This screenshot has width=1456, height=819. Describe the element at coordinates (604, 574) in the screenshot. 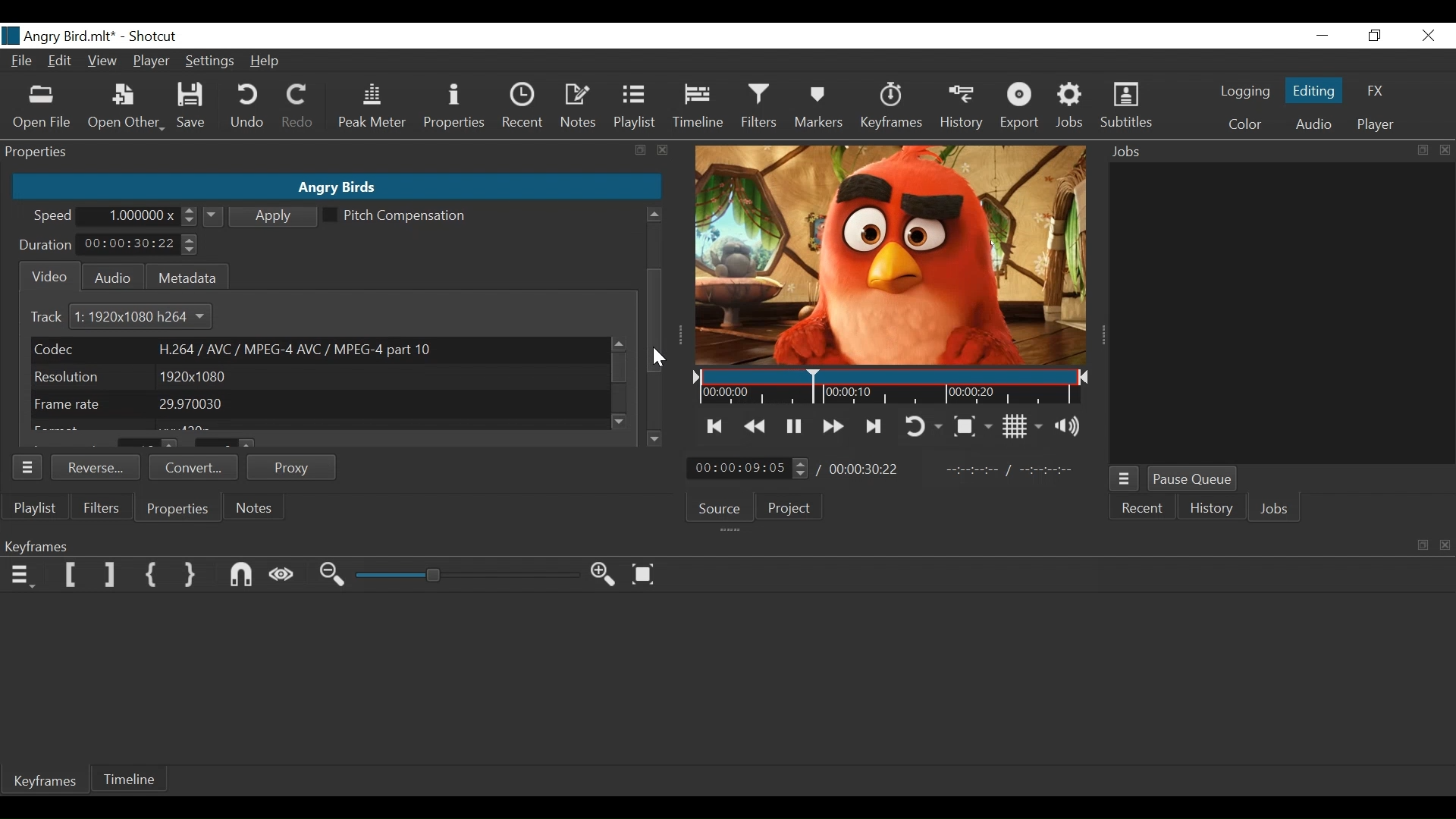

I see `Zoom timeline in` at that location.